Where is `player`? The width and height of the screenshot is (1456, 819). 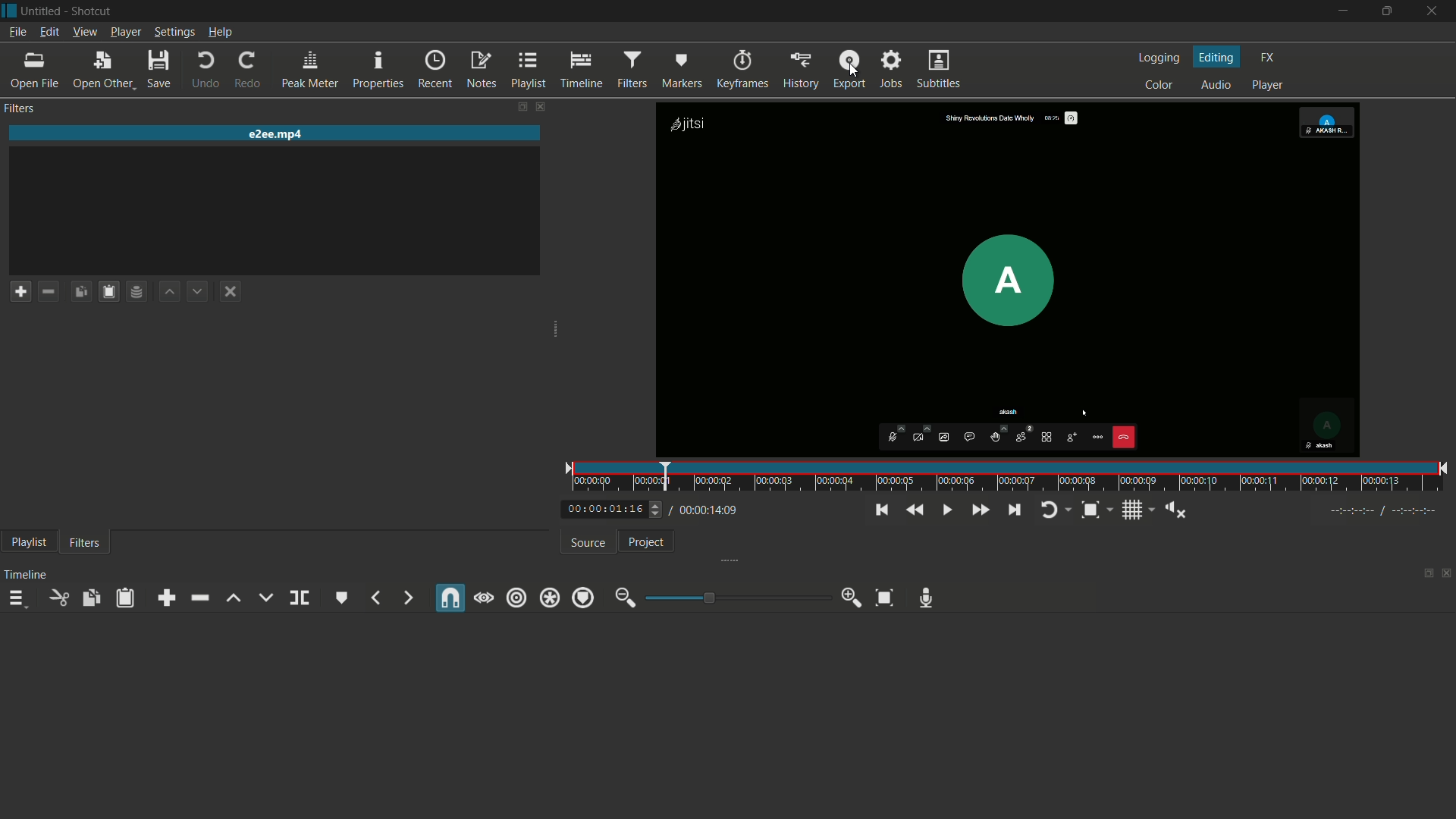
player is located at coordinates (1269, 86).